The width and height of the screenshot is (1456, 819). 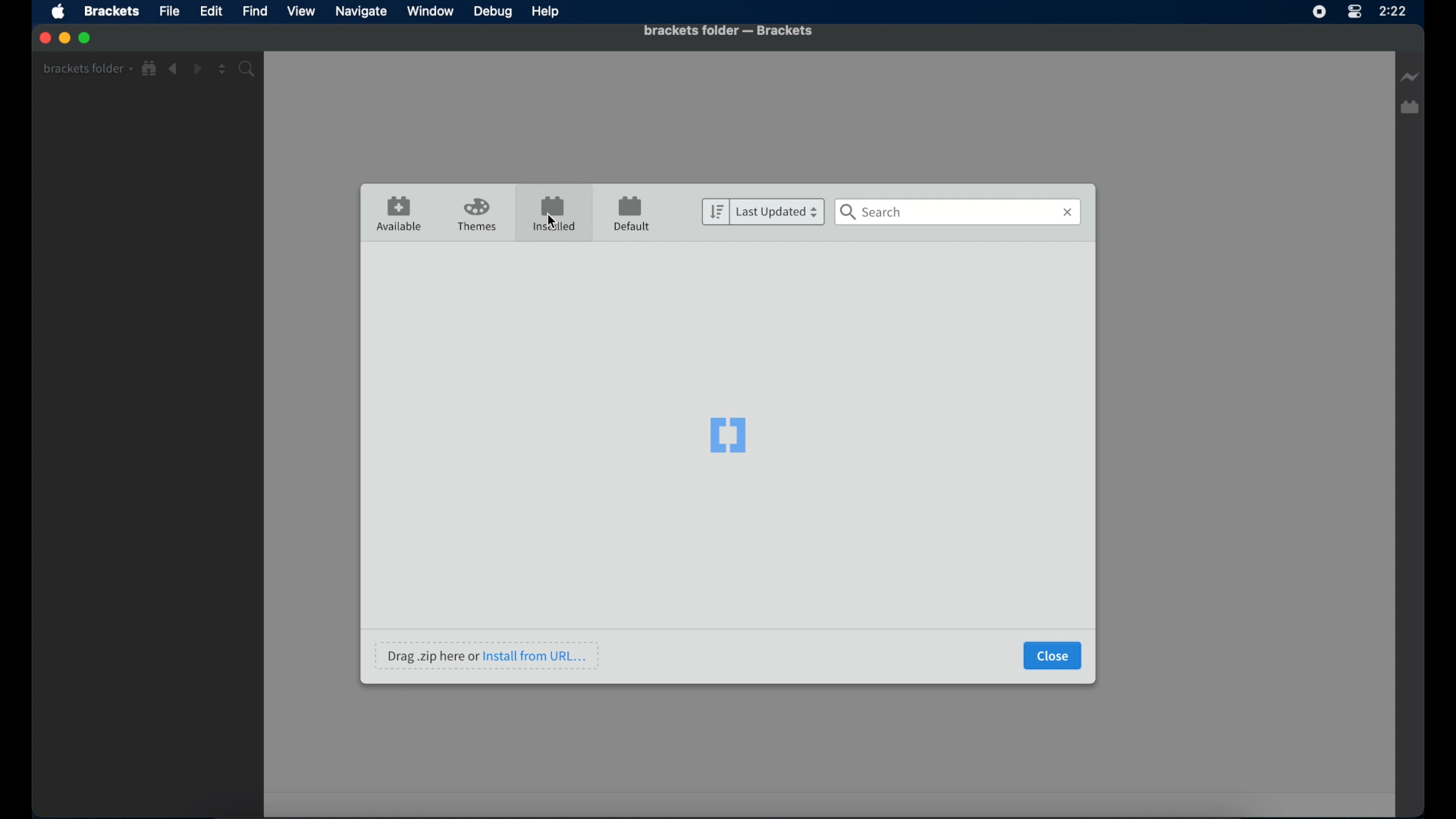 I want to click on brackets folder - brackets, so click(x=728, y=30).